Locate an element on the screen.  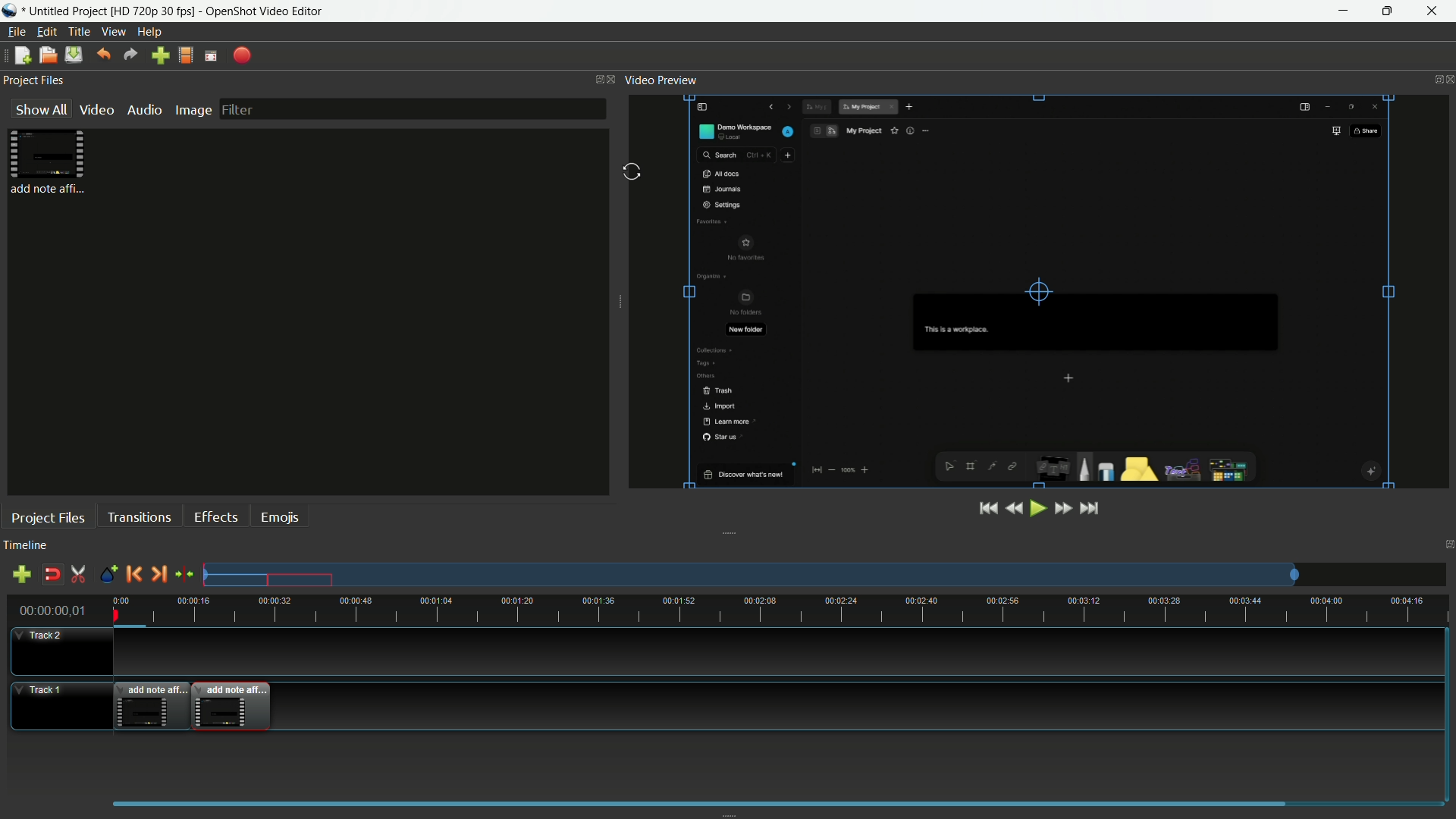
show all is located at coordinates (38, 110).